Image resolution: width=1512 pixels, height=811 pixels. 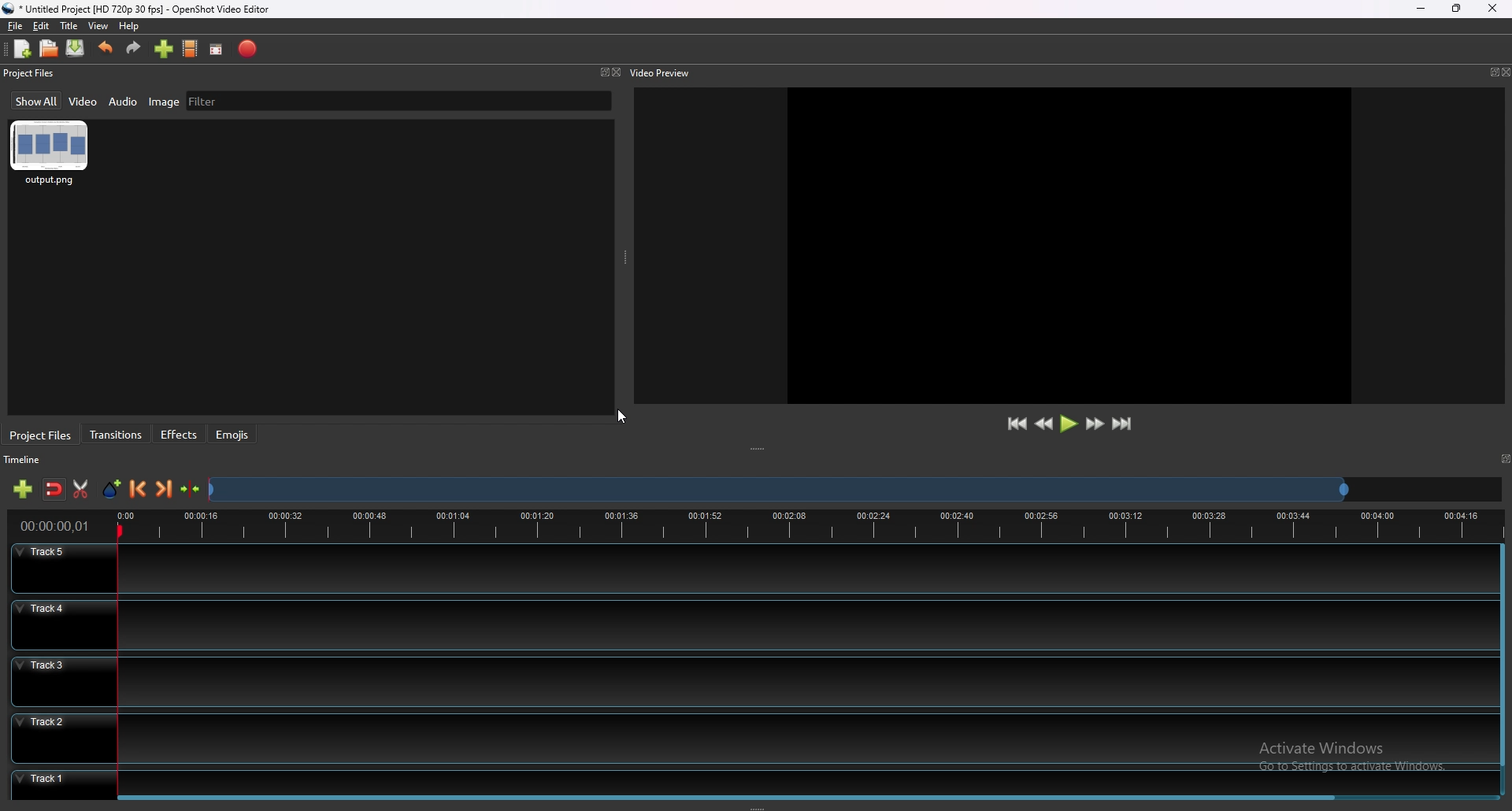 I want to click on pop out, so click(x=1492, y=72).